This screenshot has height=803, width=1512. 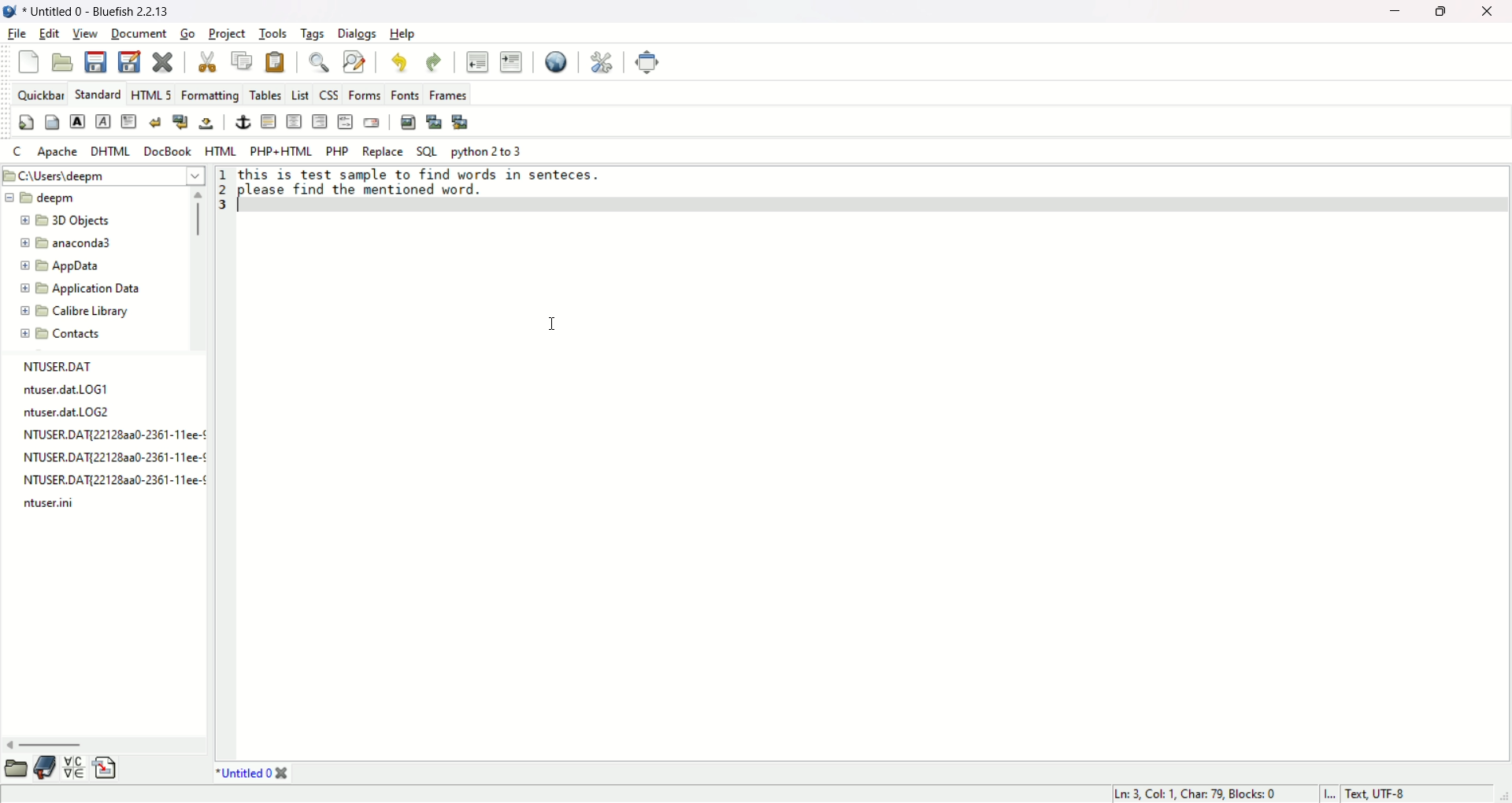 I want to click on find, so click(x=317, y=61).